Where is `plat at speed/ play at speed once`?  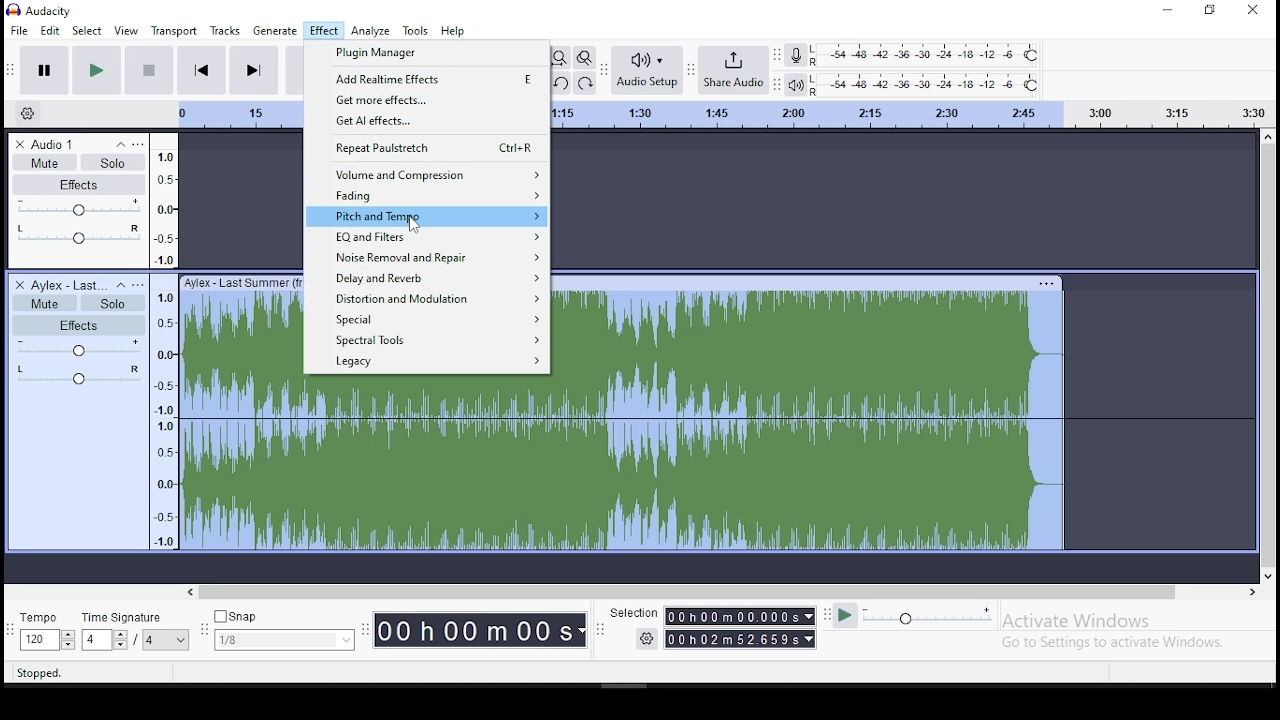
plat at speed/ play at speed once is located at coordinates (913, 617).